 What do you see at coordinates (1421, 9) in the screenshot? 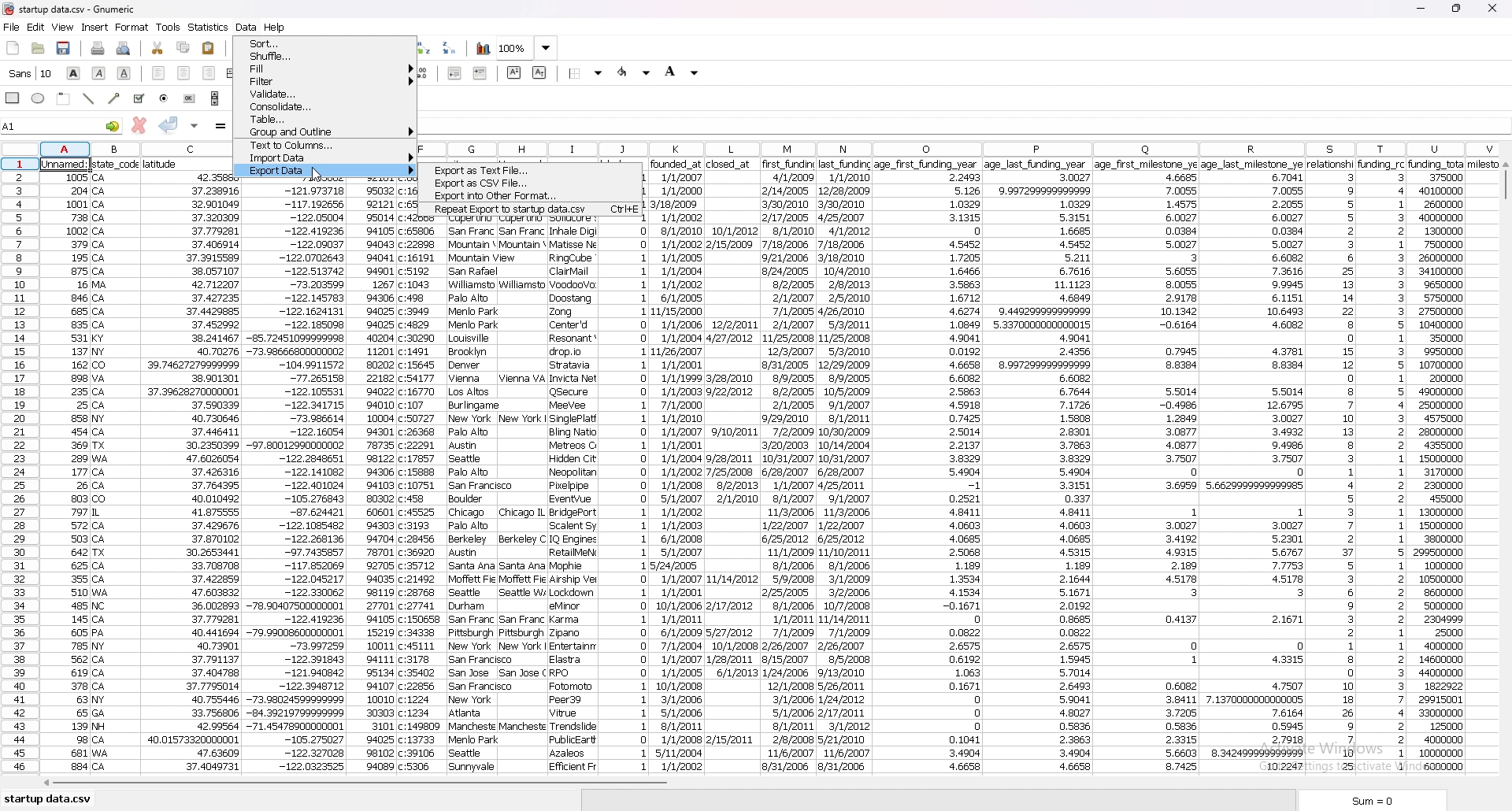
I see `minimize` at bounding box center [1421, 9].